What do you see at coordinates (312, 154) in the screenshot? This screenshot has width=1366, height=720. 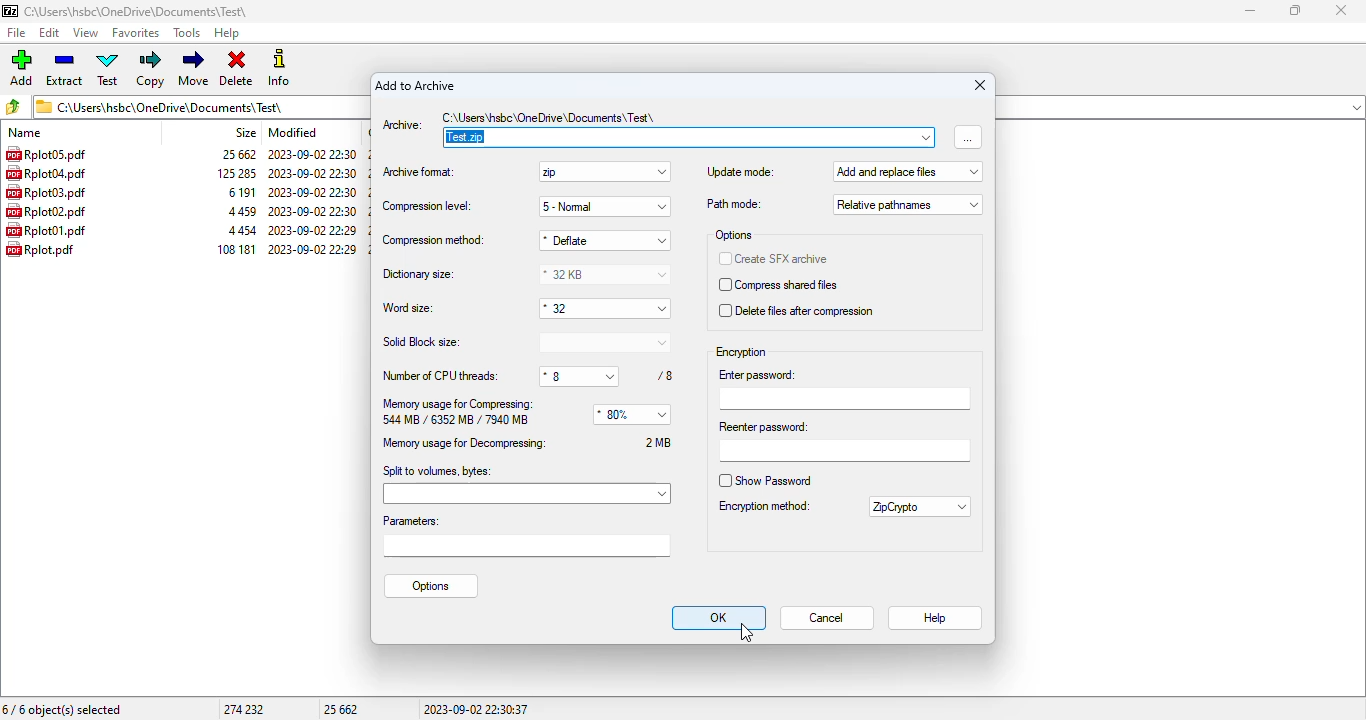 I see `modified date and time` at bounding box center [312, 154].